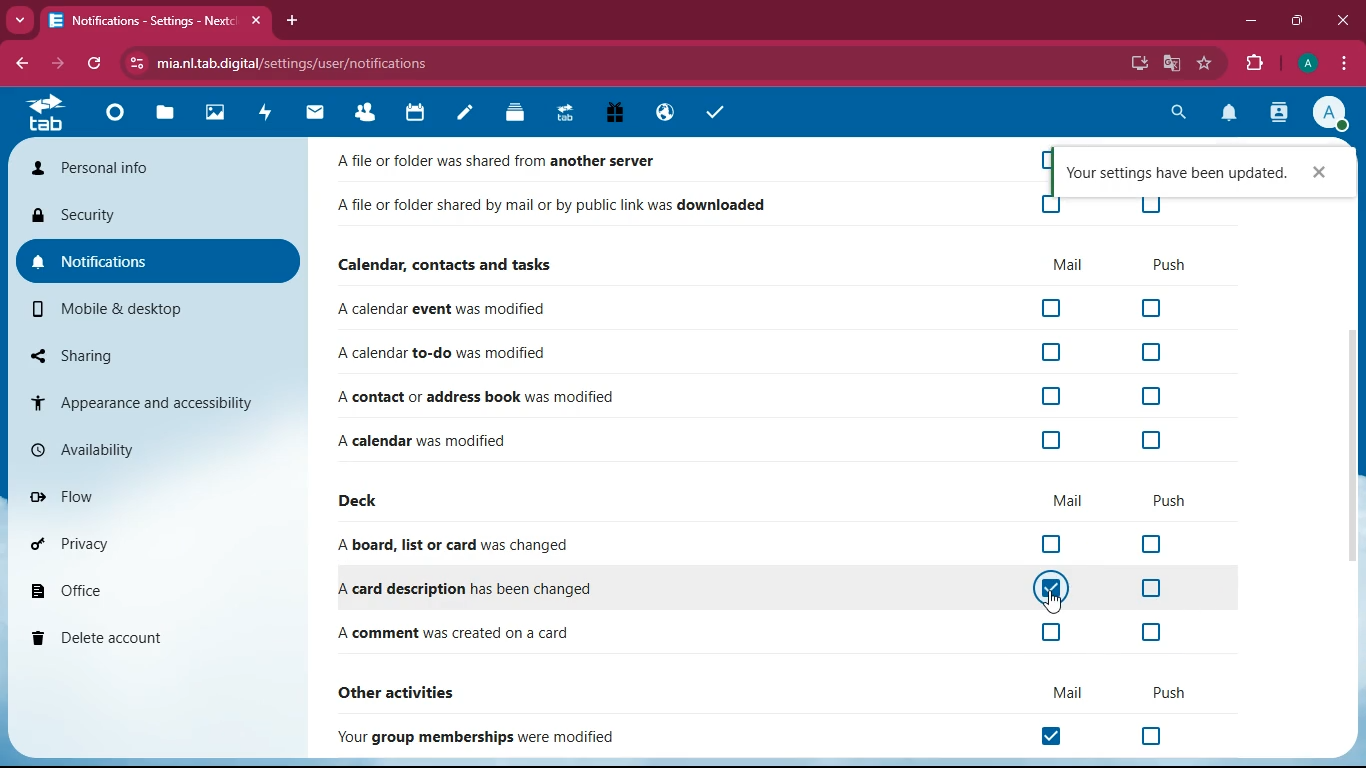 The image size is (1366, 768). I want to click on notifications, so click(1229, 114).